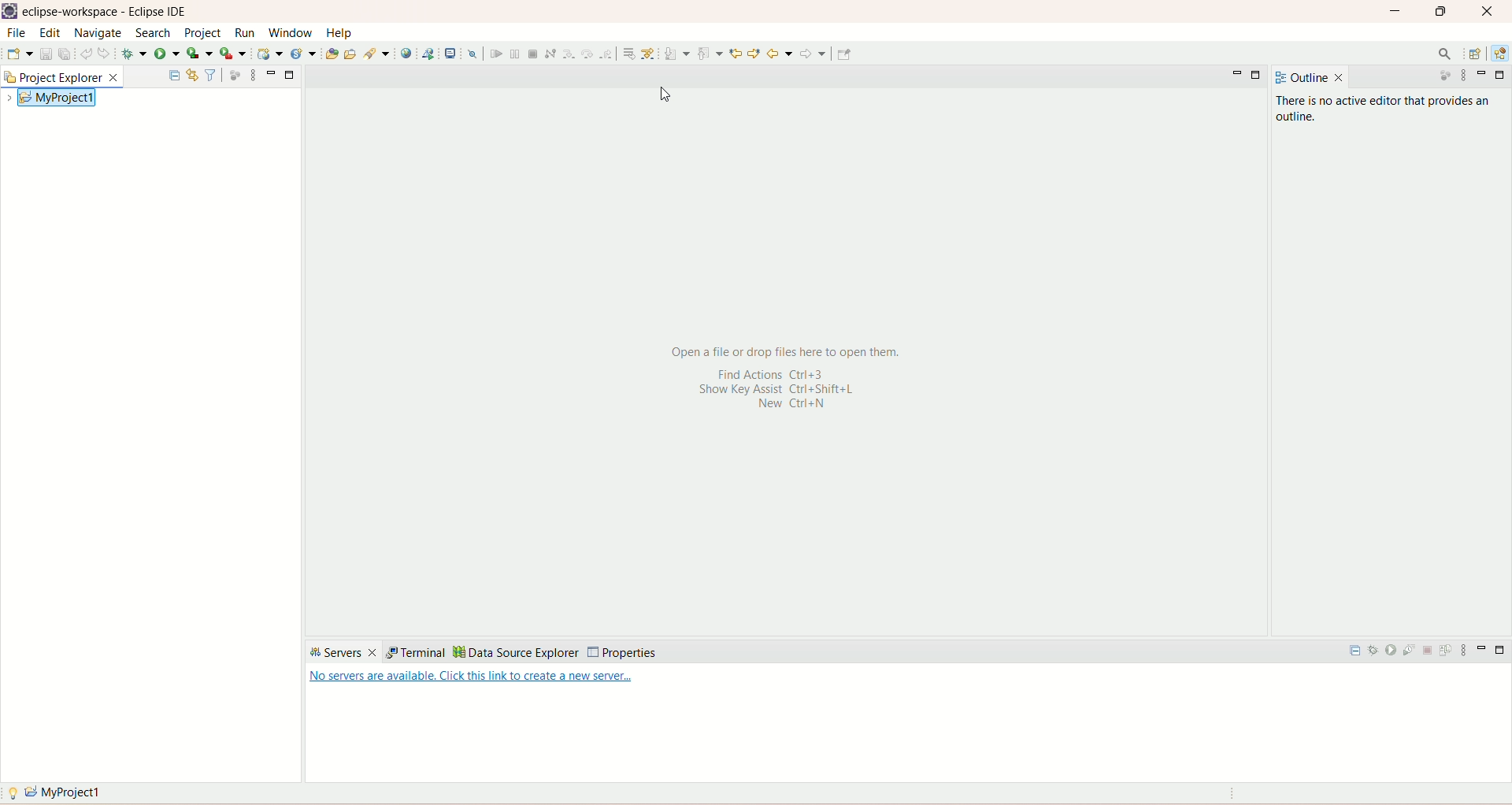 This screenshot has width=1512, height=805. I want to click on run last tool, so click(235, 54).